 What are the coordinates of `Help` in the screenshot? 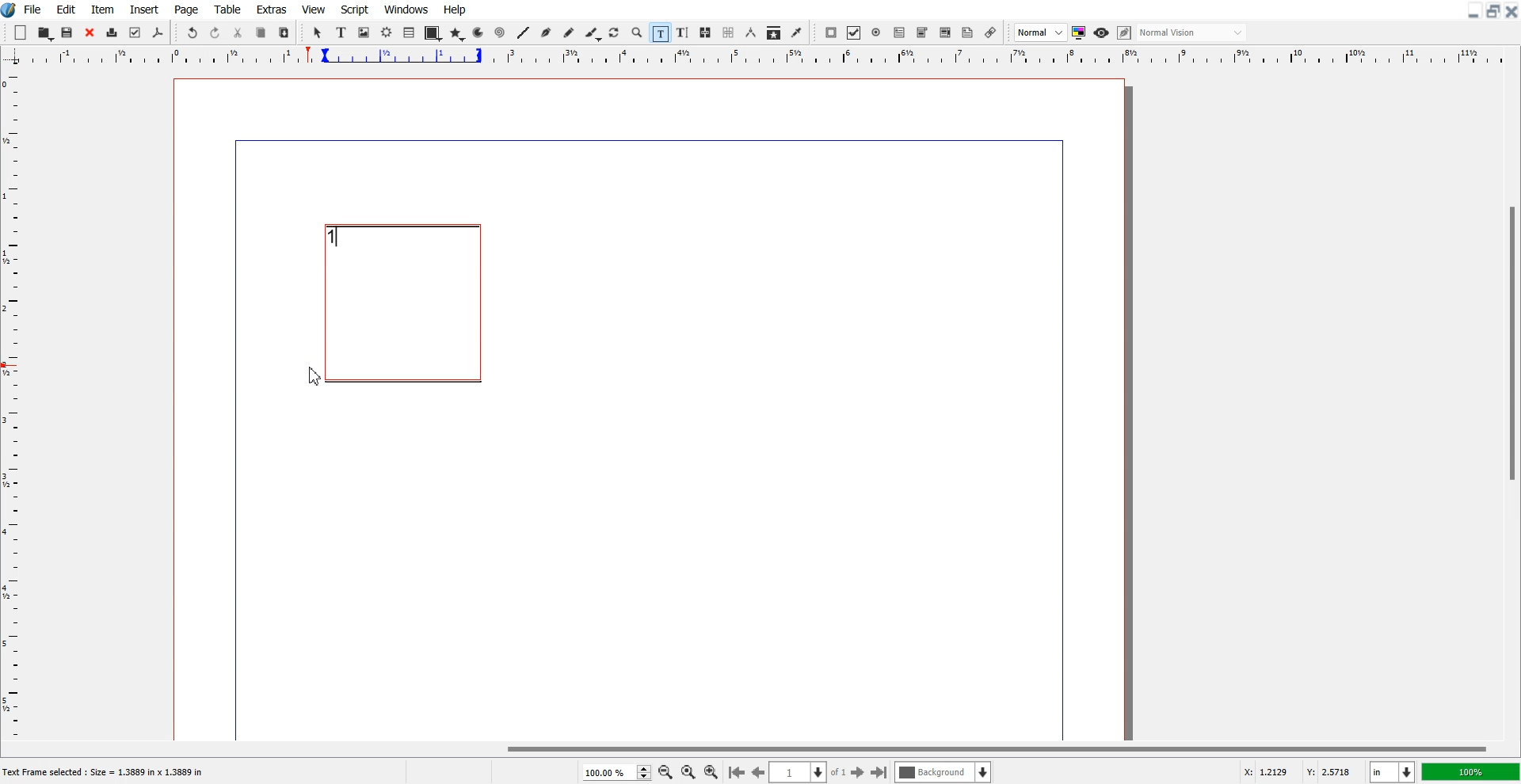 It's located at (454, 10).